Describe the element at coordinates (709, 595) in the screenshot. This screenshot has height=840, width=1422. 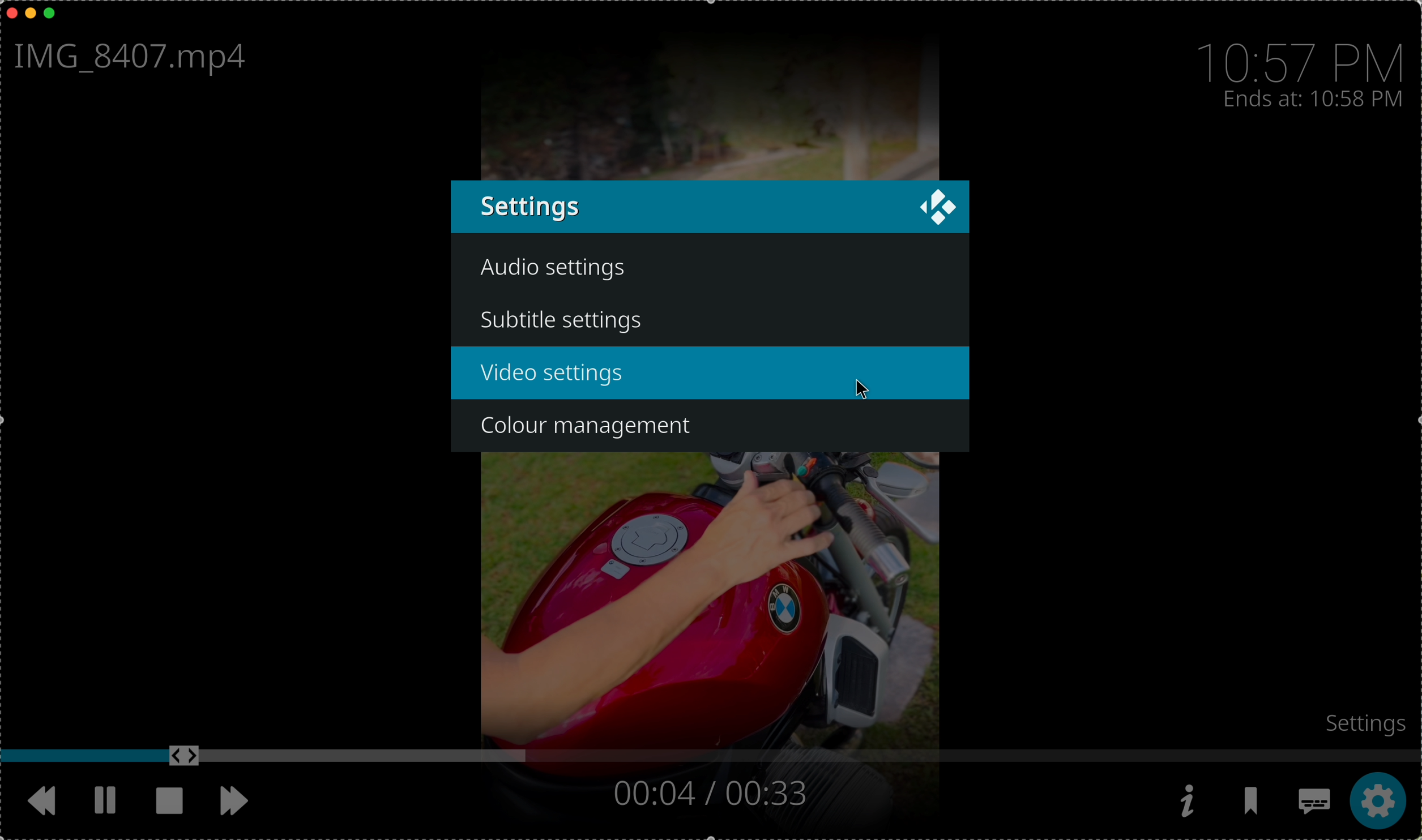
I see `video` at that location.